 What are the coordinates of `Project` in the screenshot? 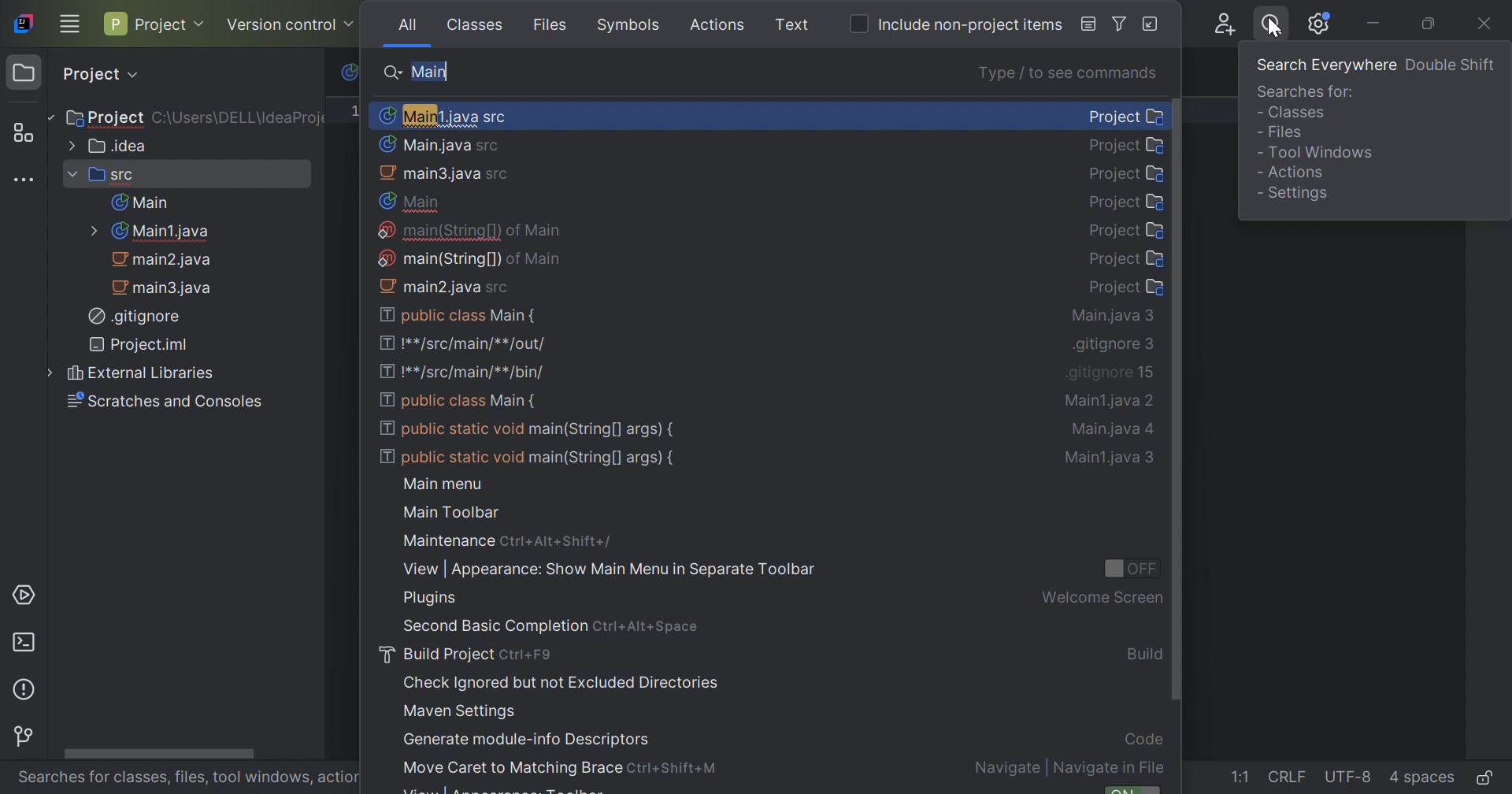 It's located at (1129, 173).